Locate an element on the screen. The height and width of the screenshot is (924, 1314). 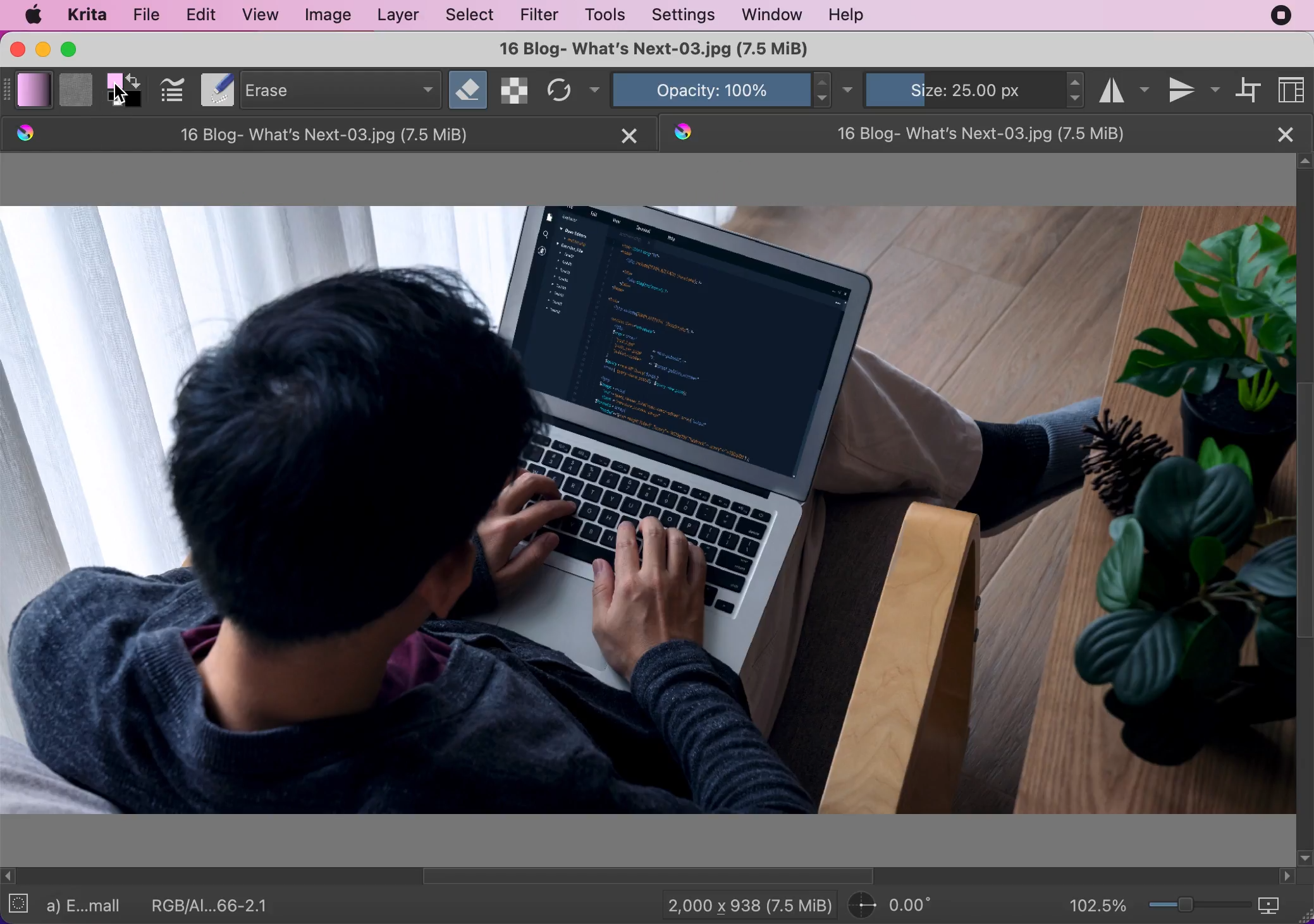
expand bar is located at coordinates (8, 89).